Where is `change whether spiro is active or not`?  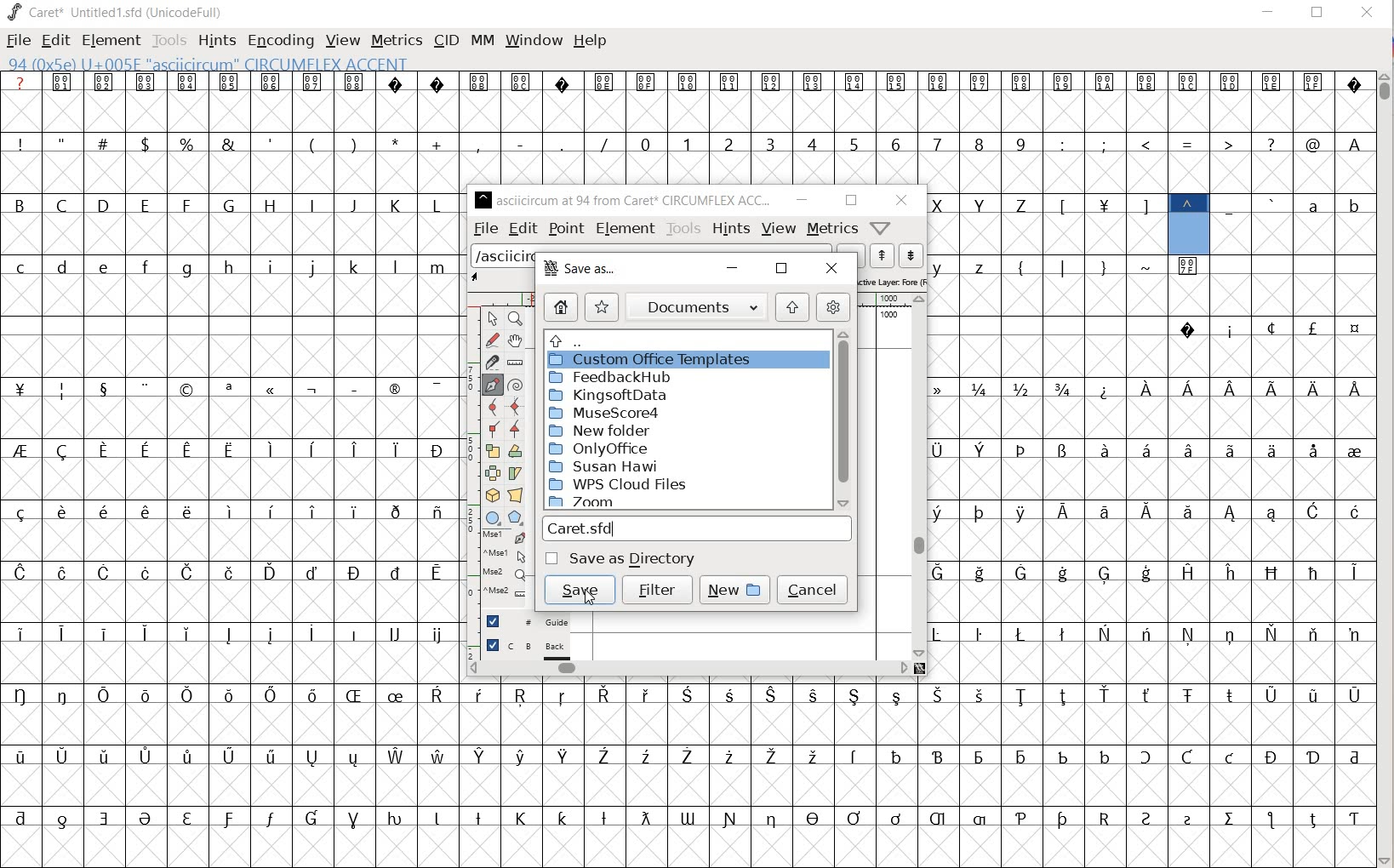 change whether spiro is active or not is located at coordinates (517, 385).